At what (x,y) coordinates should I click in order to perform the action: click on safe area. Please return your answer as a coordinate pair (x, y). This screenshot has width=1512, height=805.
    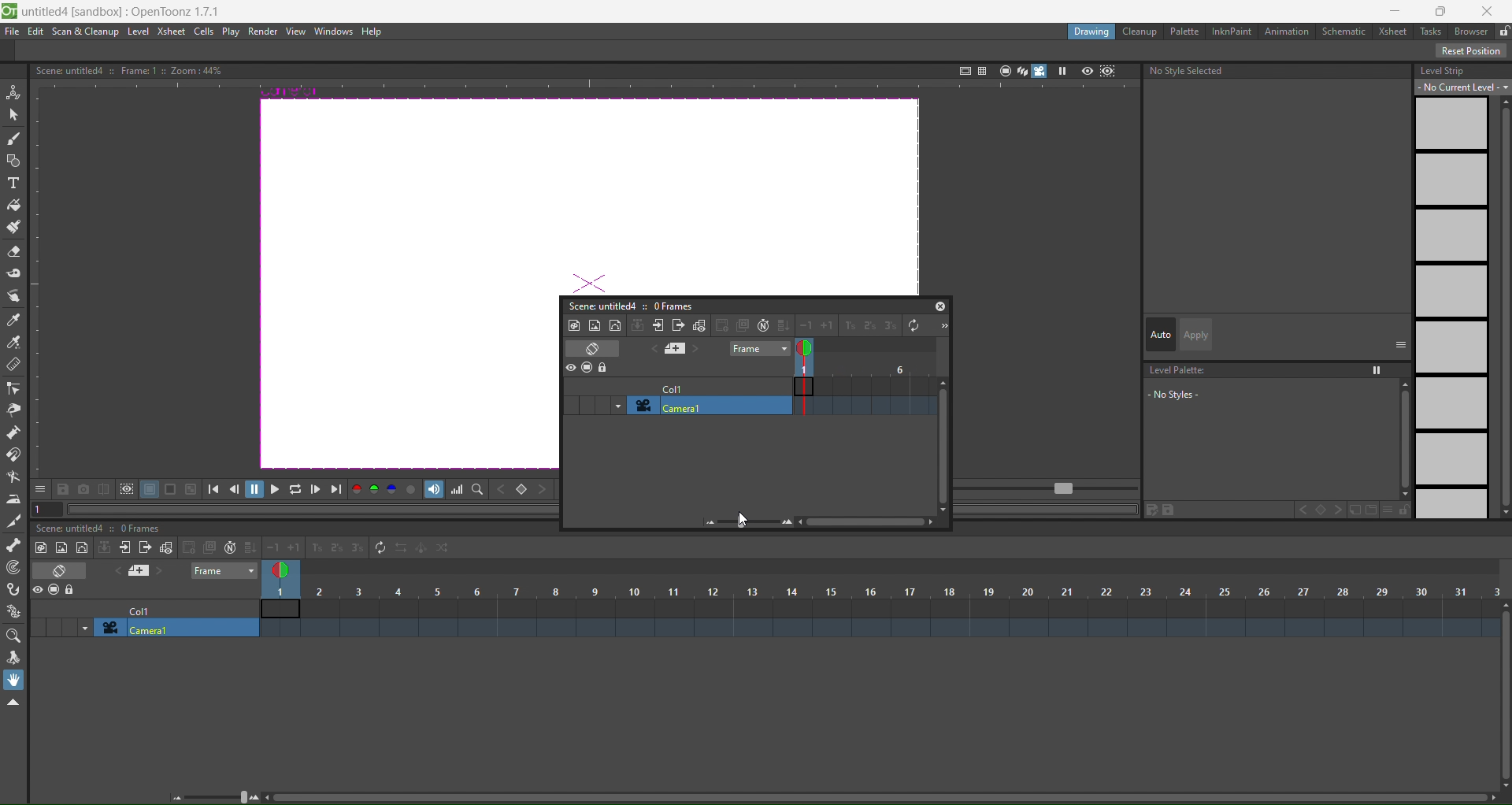
    Looking at the image, I should click on (963, 69).